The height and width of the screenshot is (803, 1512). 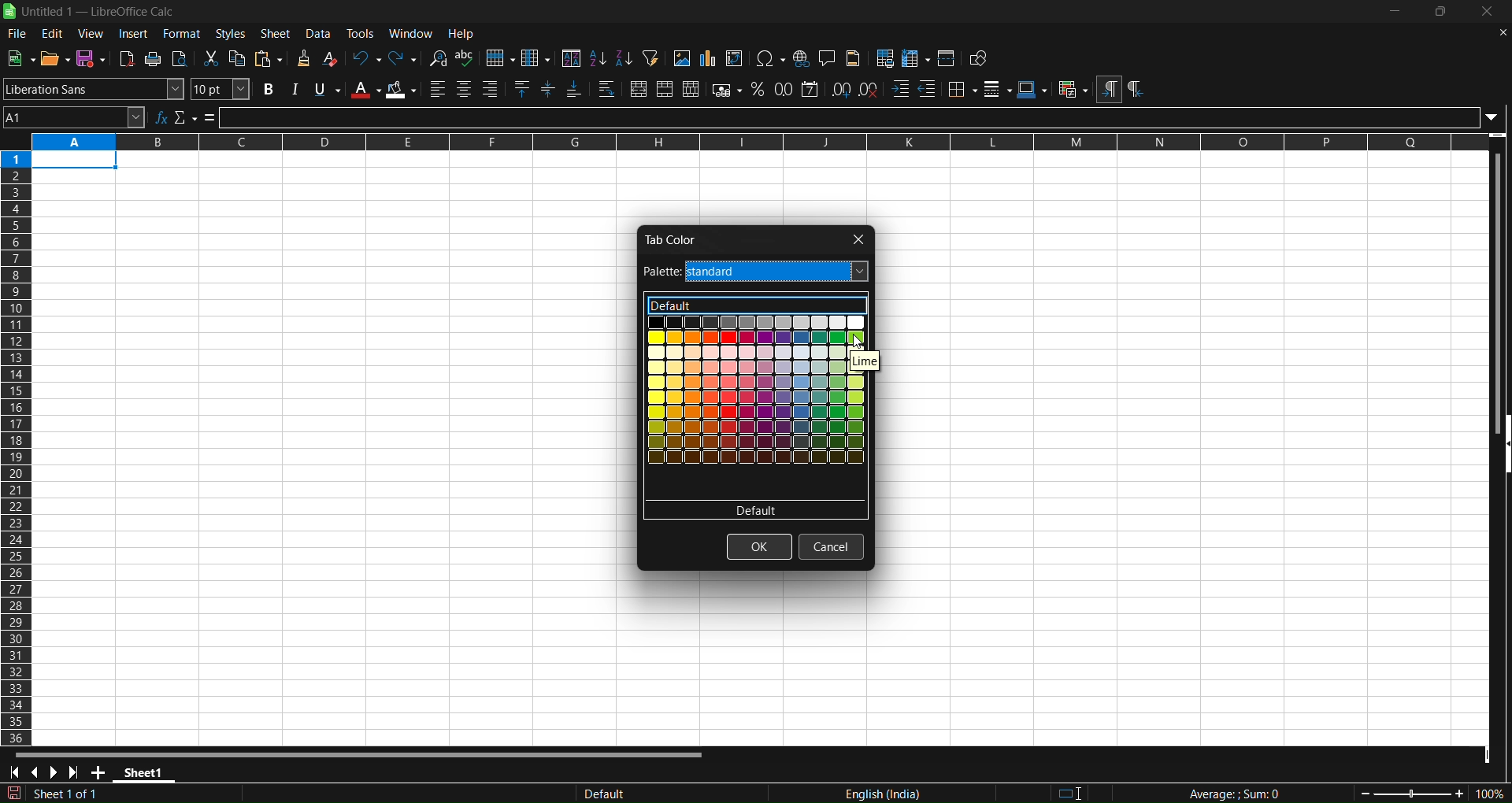 I want to click on freeze rows and columns, so click(x=916, y=58).